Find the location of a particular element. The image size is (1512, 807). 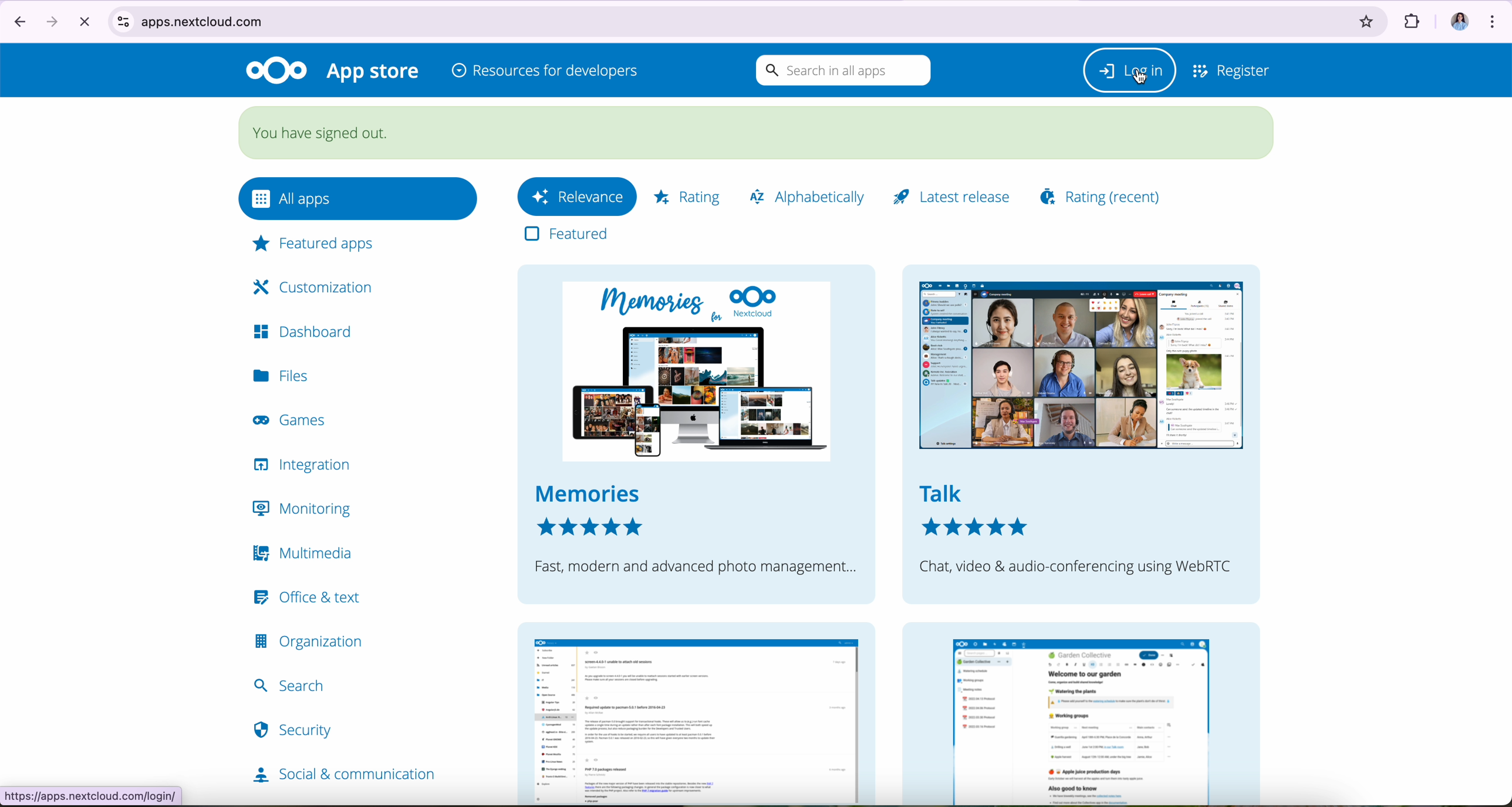

search is located at coordinates (291, 684).